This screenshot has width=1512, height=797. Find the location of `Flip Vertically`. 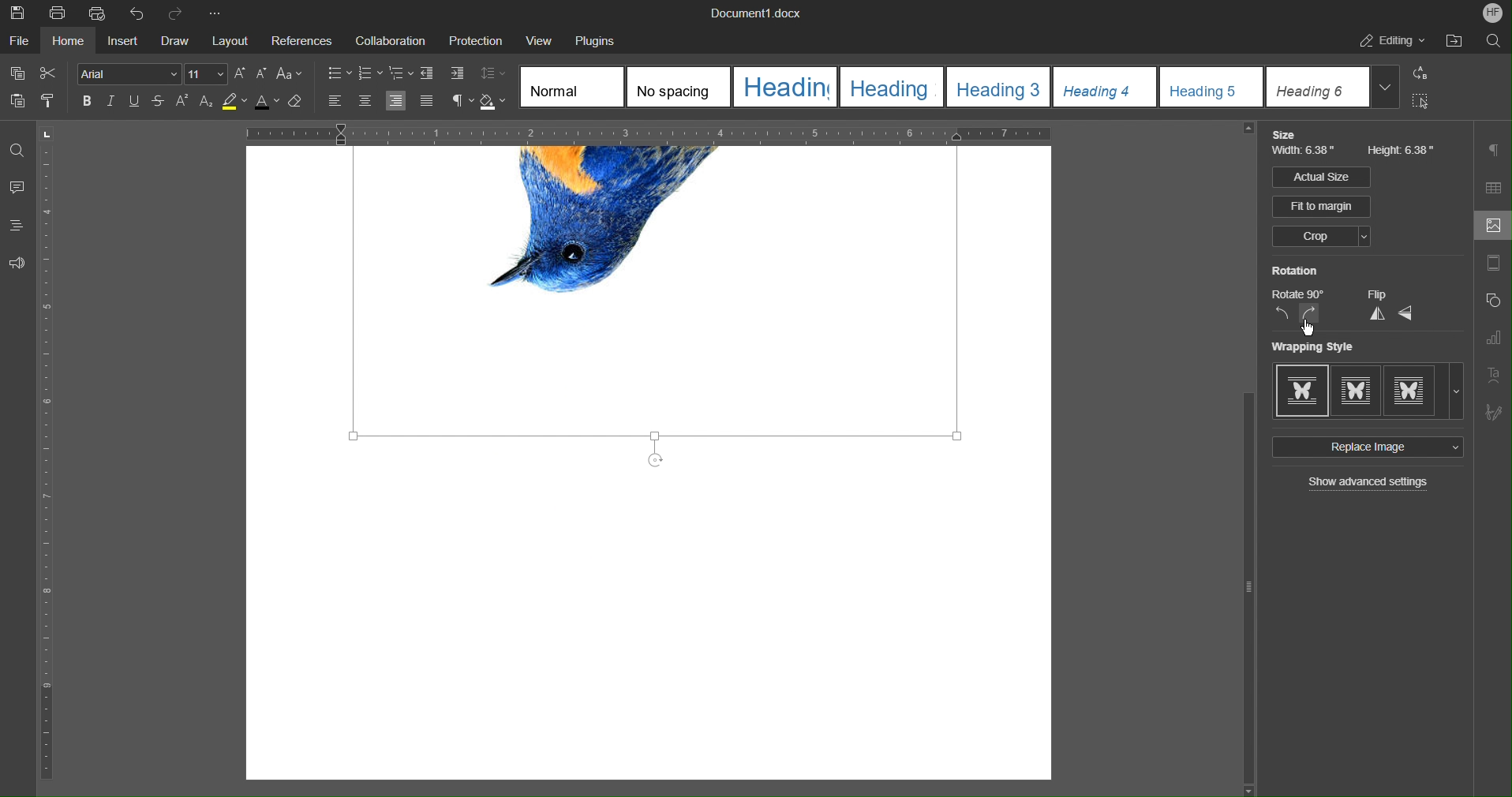

Flip Vertically is located at coordinates (1376, 314).